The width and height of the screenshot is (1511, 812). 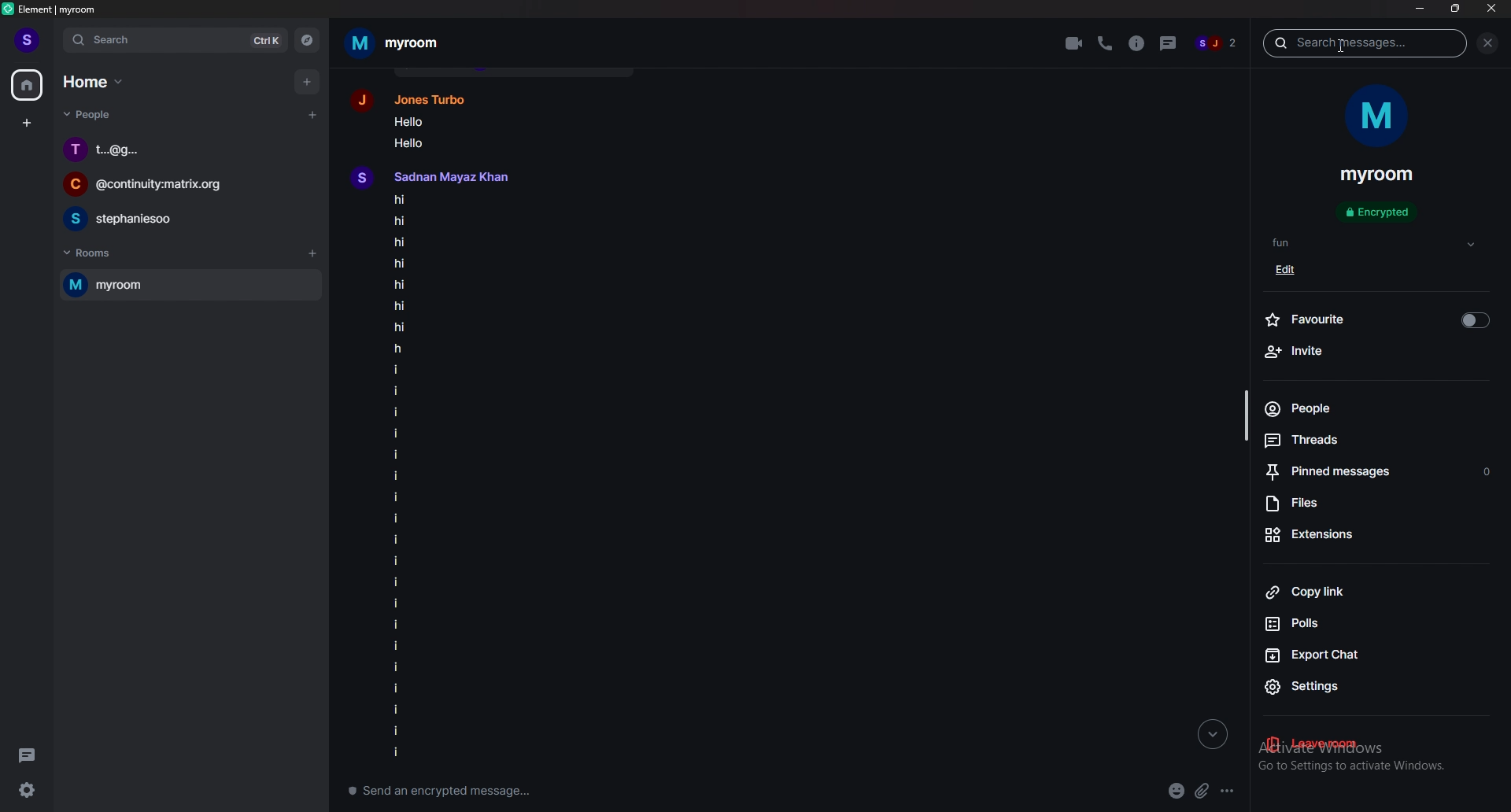 What do you see at coordinates (89, 116) in the screenshot?
I see `people` at bounding box center [89, 116].